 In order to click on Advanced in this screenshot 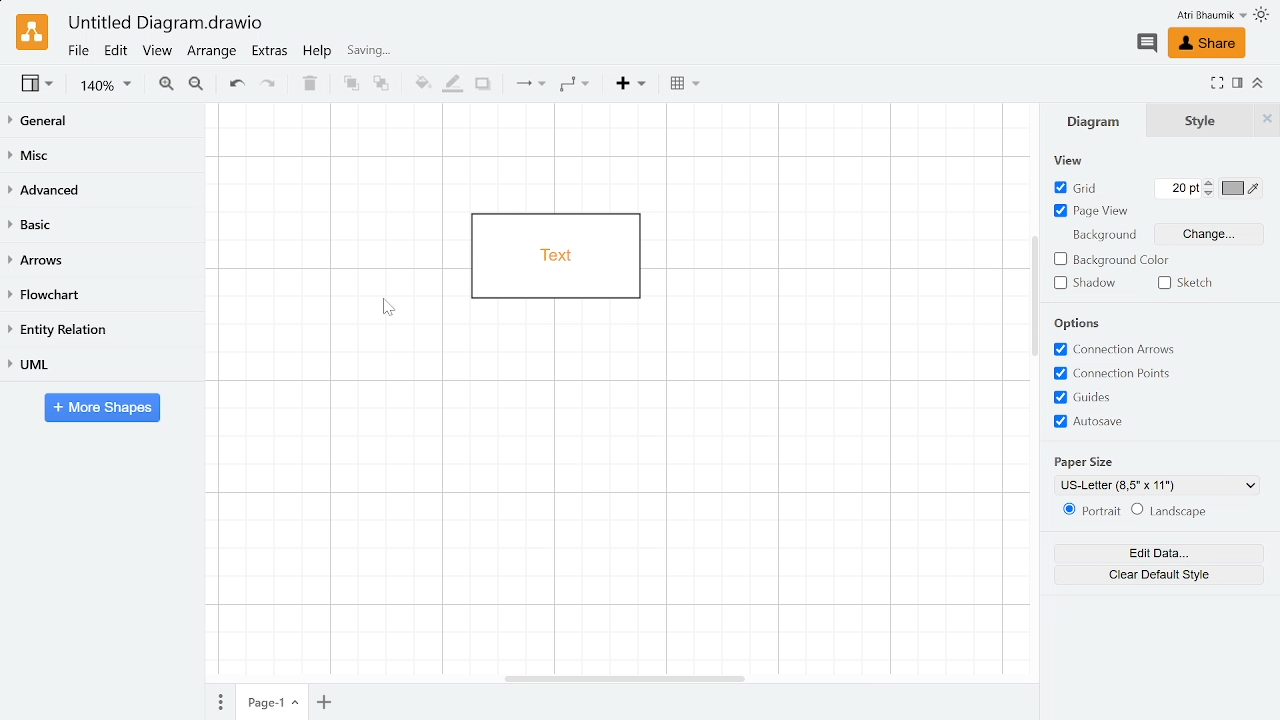, I will do `click(102, 191)`.